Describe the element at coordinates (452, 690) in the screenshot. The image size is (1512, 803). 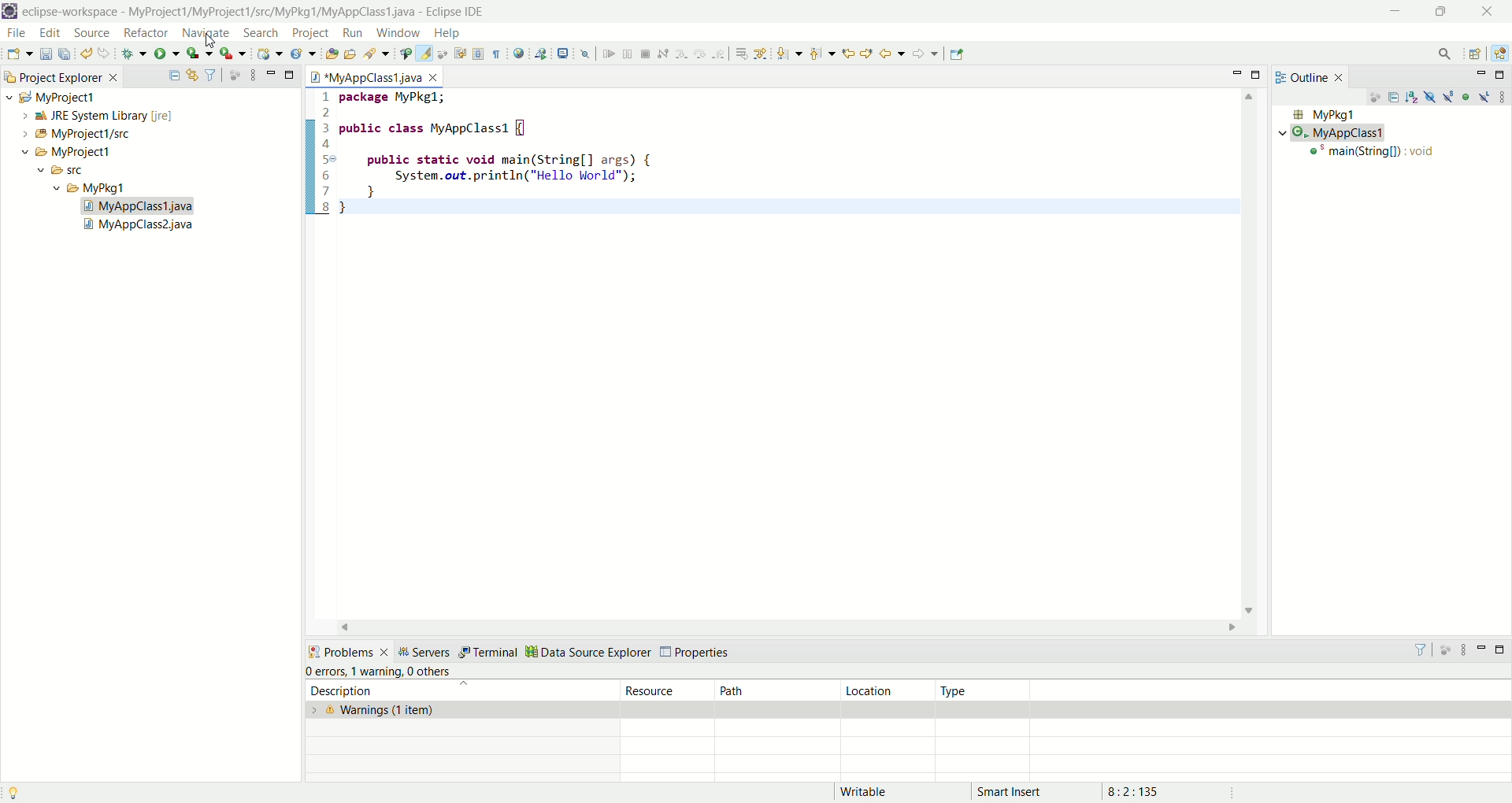
I see `description` at that location.